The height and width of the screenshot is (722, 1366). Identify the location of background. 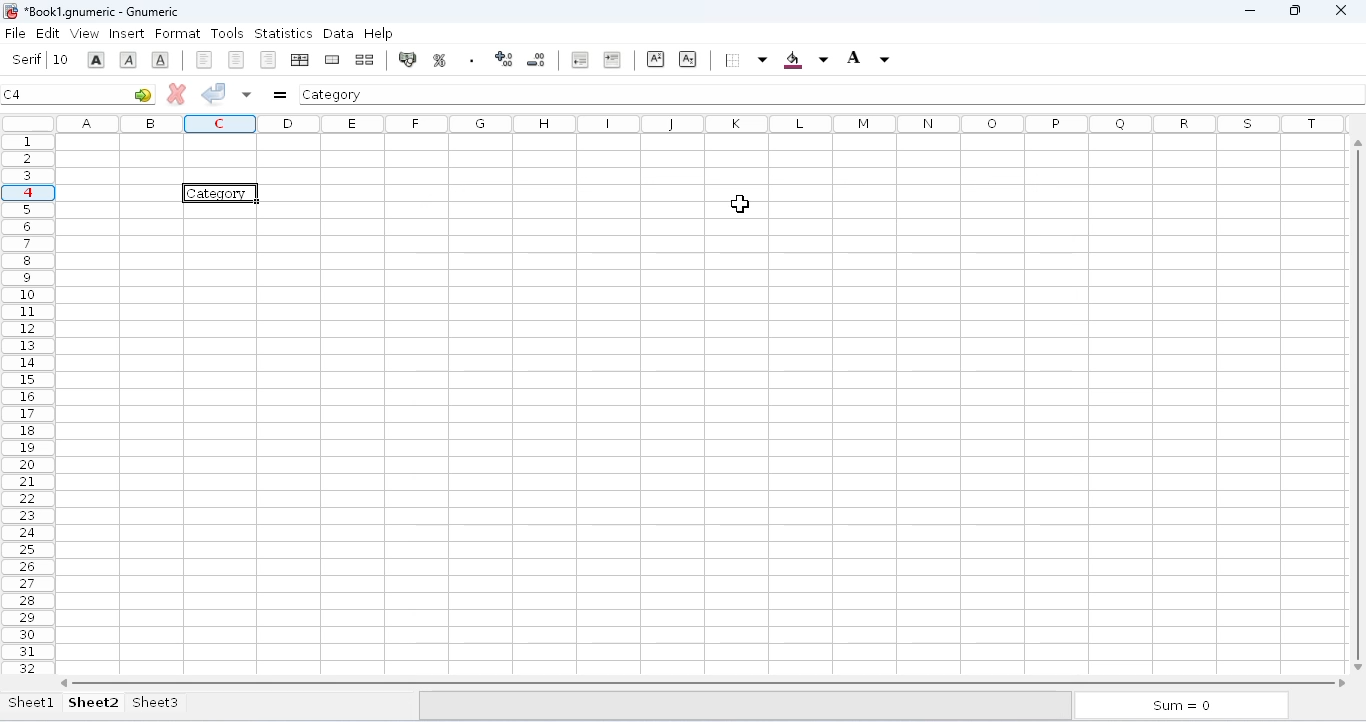
(846, 60).